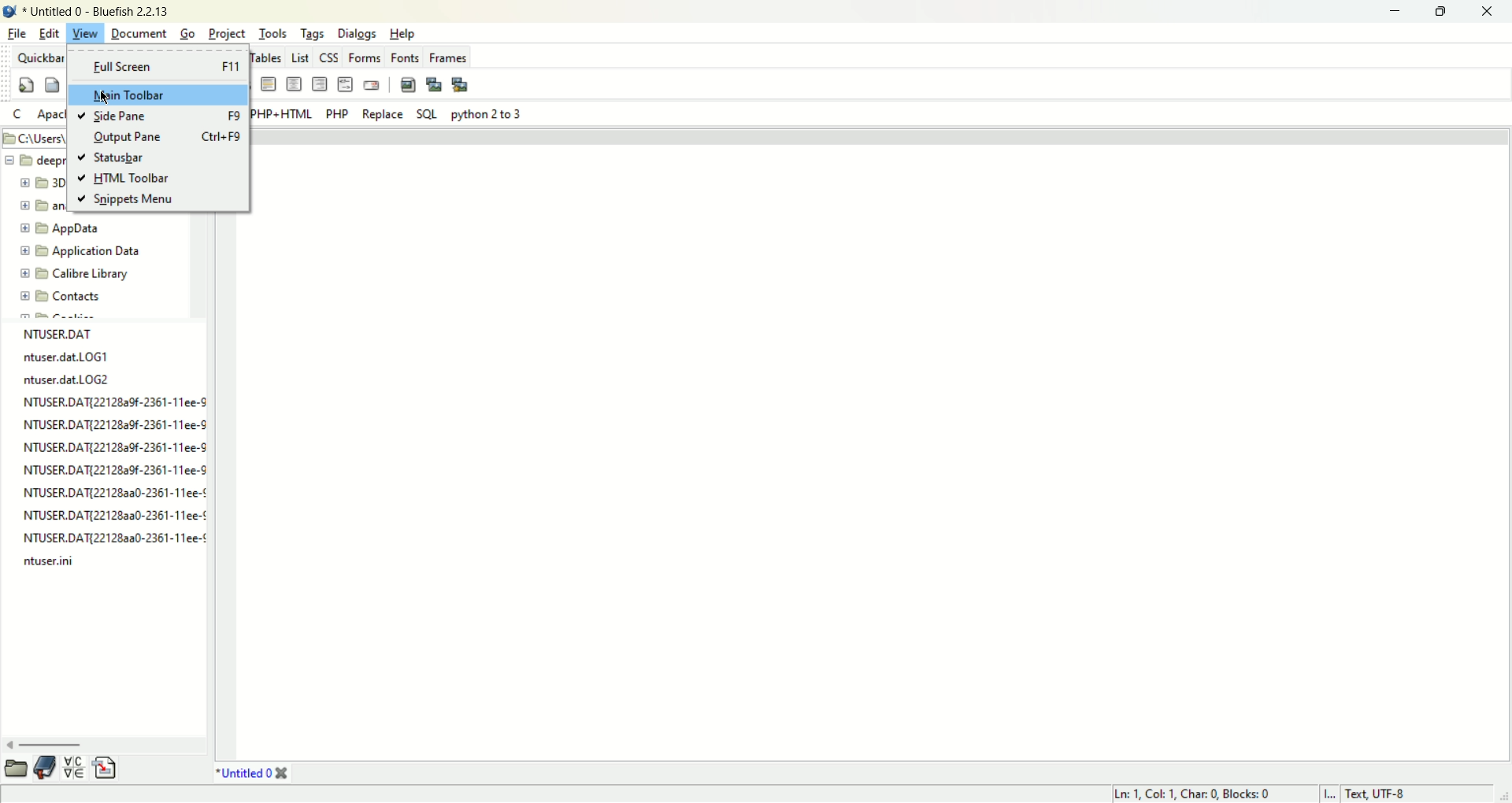 The width and height of the screenshot is (1512, 803). What do you see at coordinates (100, 10) in the screenshot?
I see `title` at bounding box center [100, 10].